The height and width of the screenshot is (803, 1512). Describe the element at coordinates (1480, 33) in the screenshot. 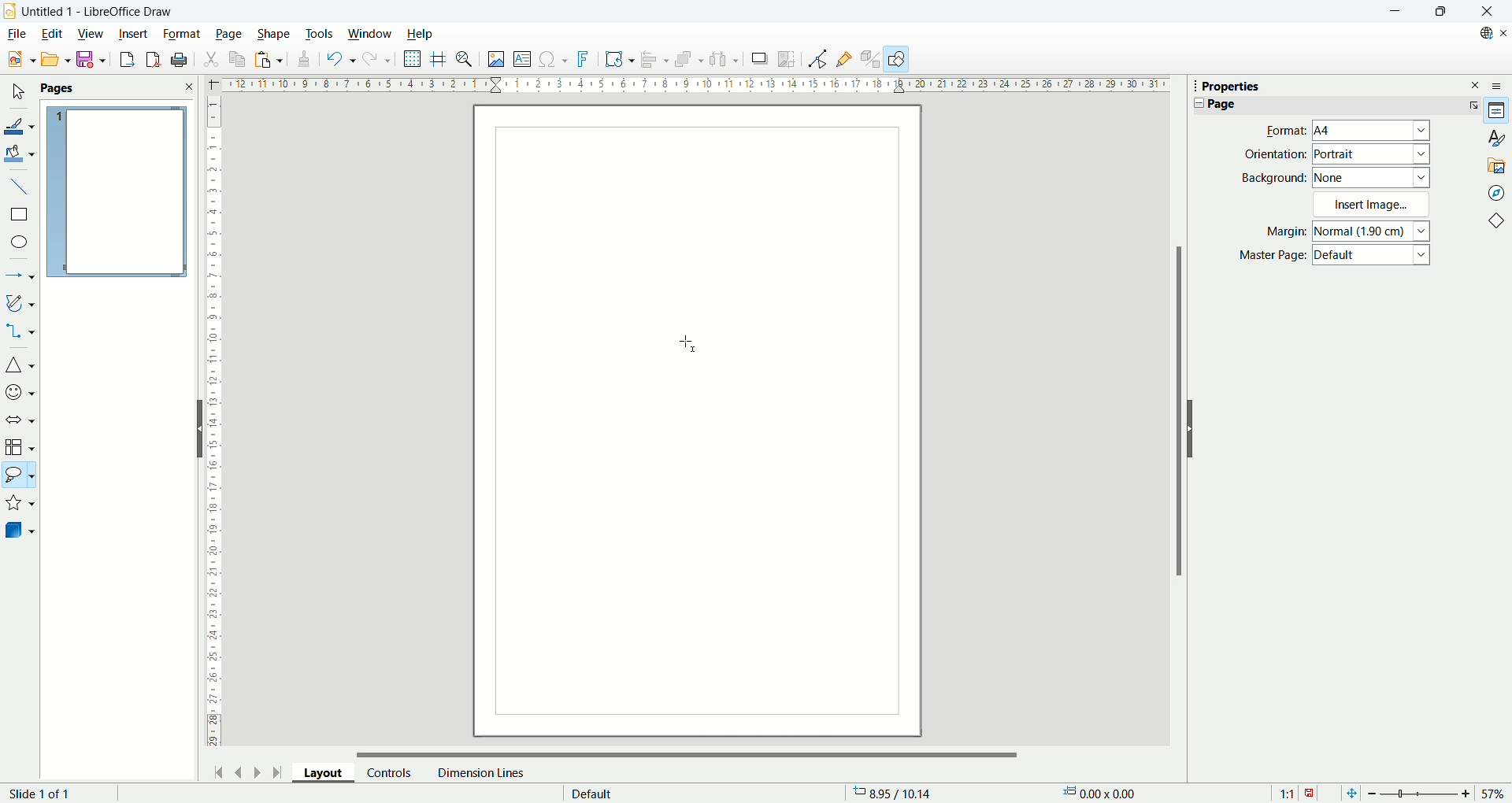

I see `Search on web` at that location.